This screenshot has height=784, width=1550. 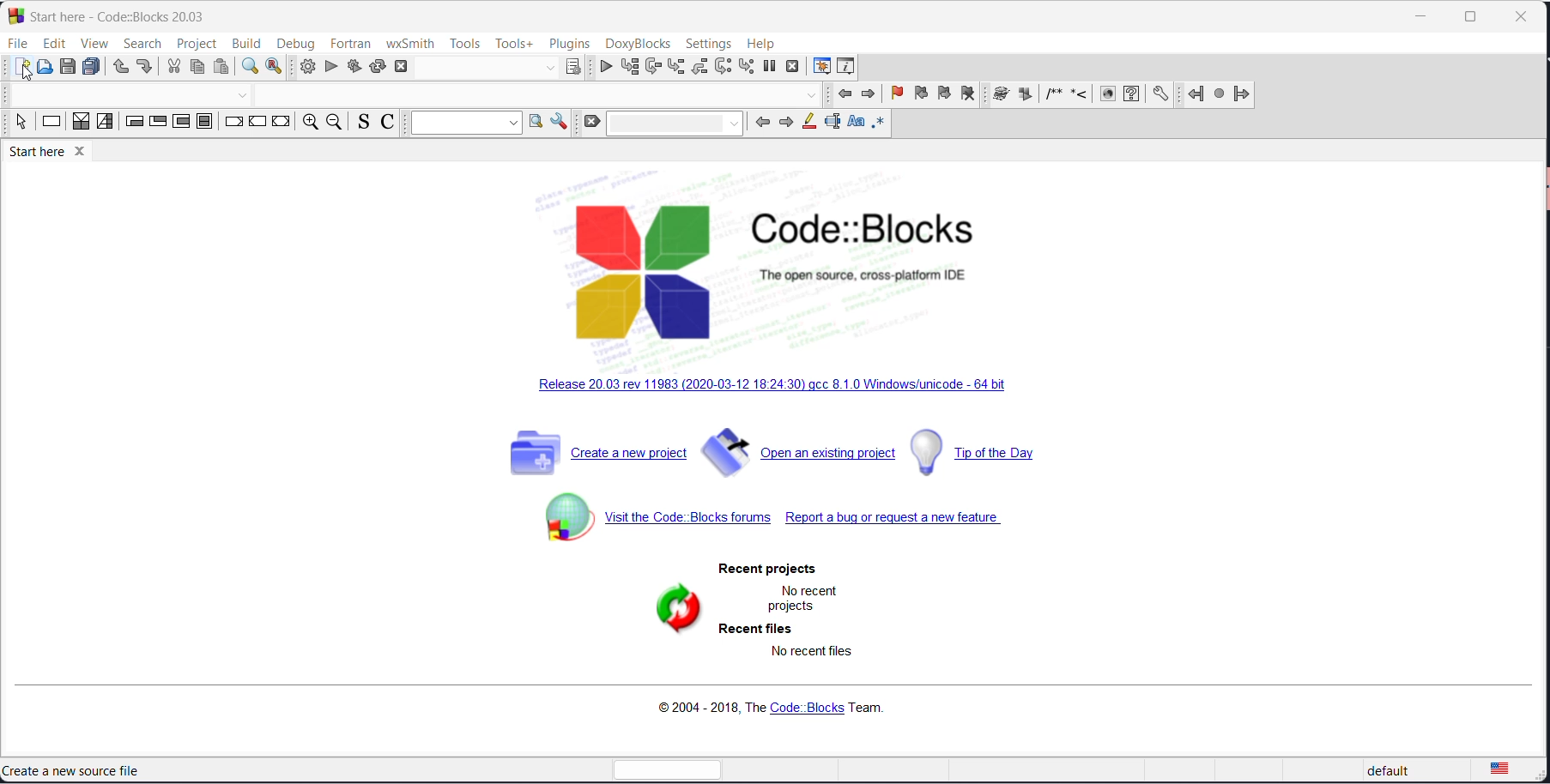 I want to click on text and dropdown, so click(x=675, y=124).